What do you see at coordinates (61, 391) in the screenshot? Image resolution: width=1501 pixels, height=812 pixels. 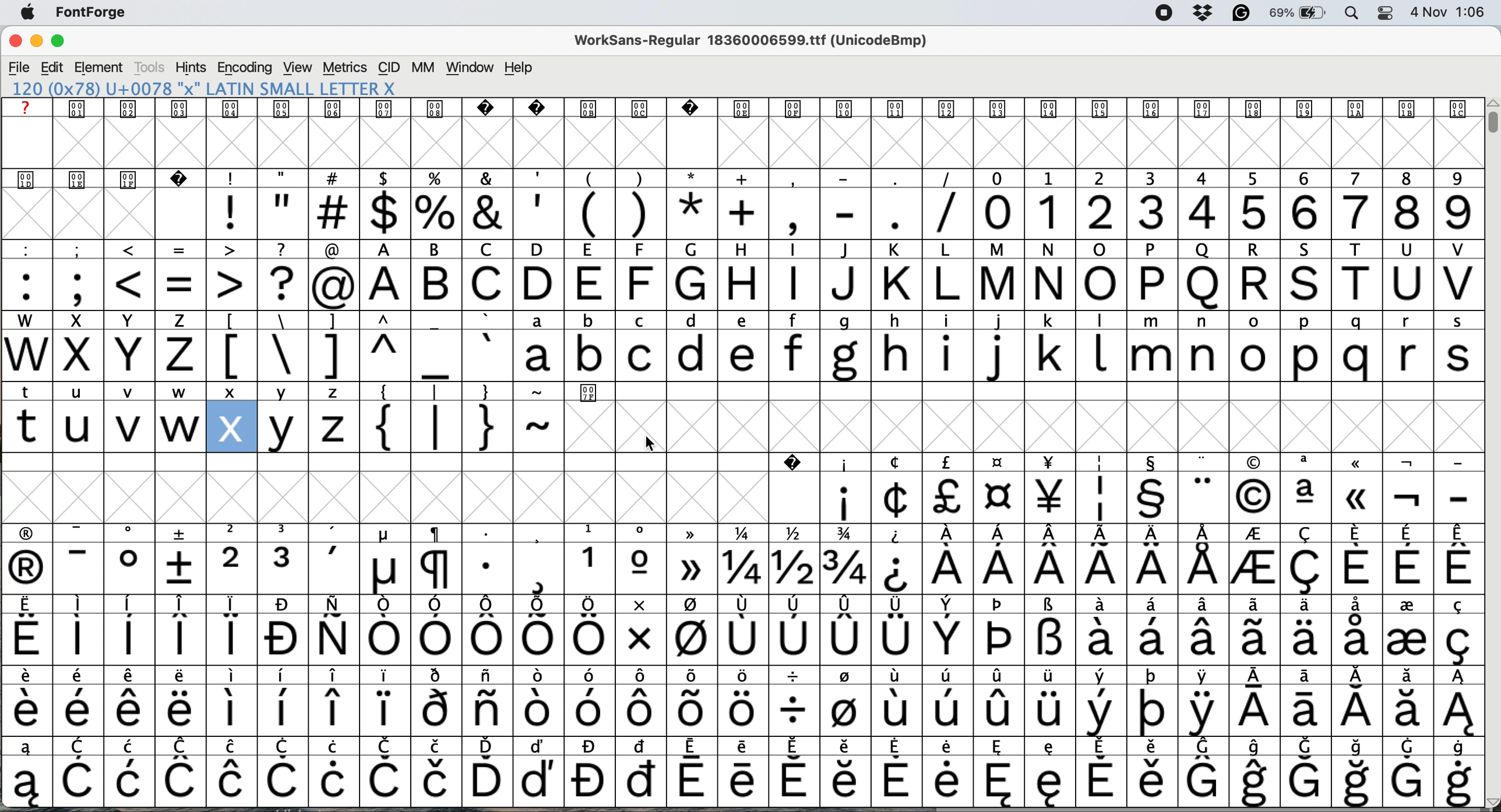 I see `special characters ` at bounding box center [61, 391].